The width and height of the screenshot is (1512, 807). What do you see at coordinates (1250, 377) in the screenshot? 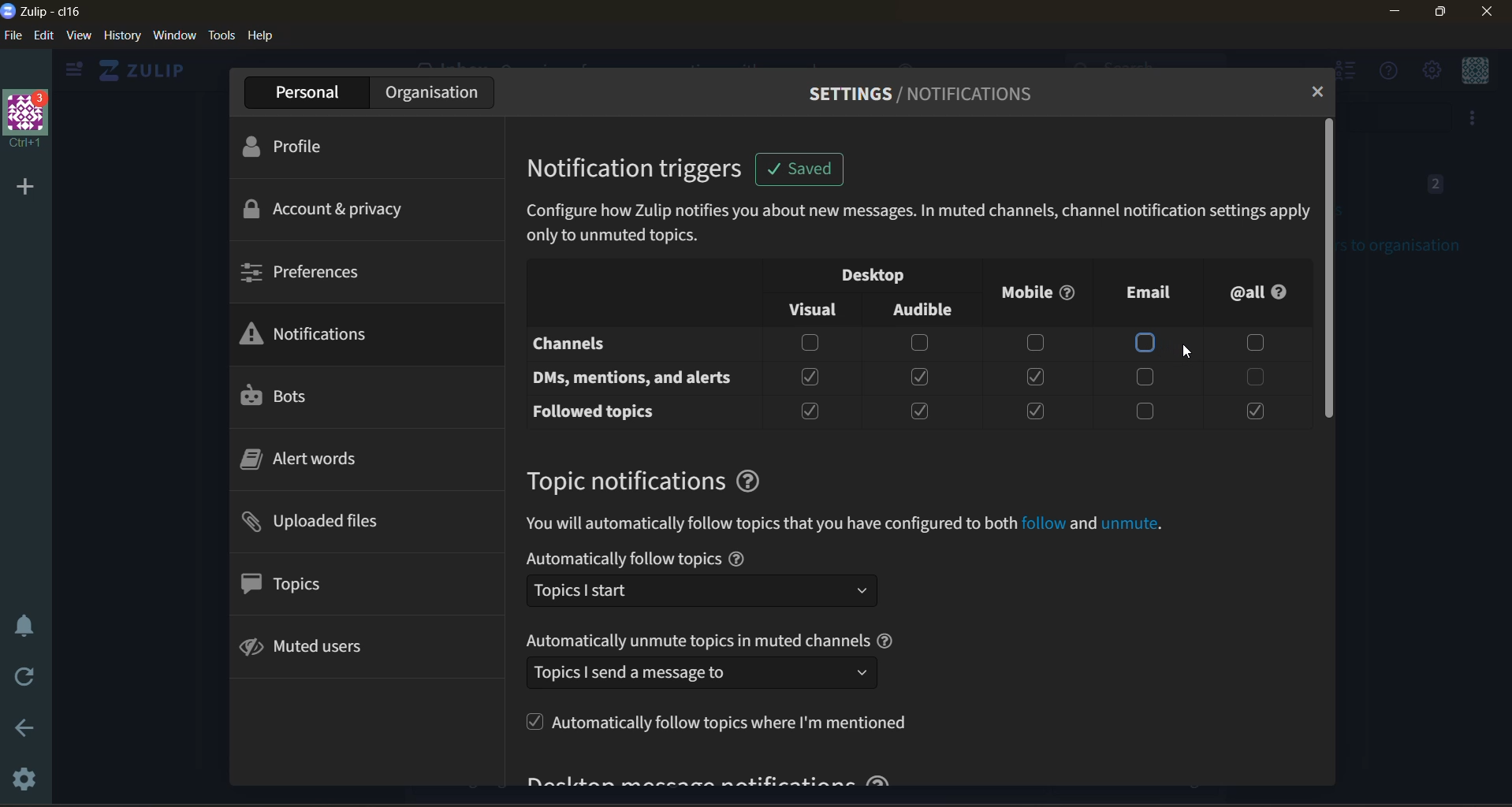
I see `checkbox` at bounding box center [1250, 377].